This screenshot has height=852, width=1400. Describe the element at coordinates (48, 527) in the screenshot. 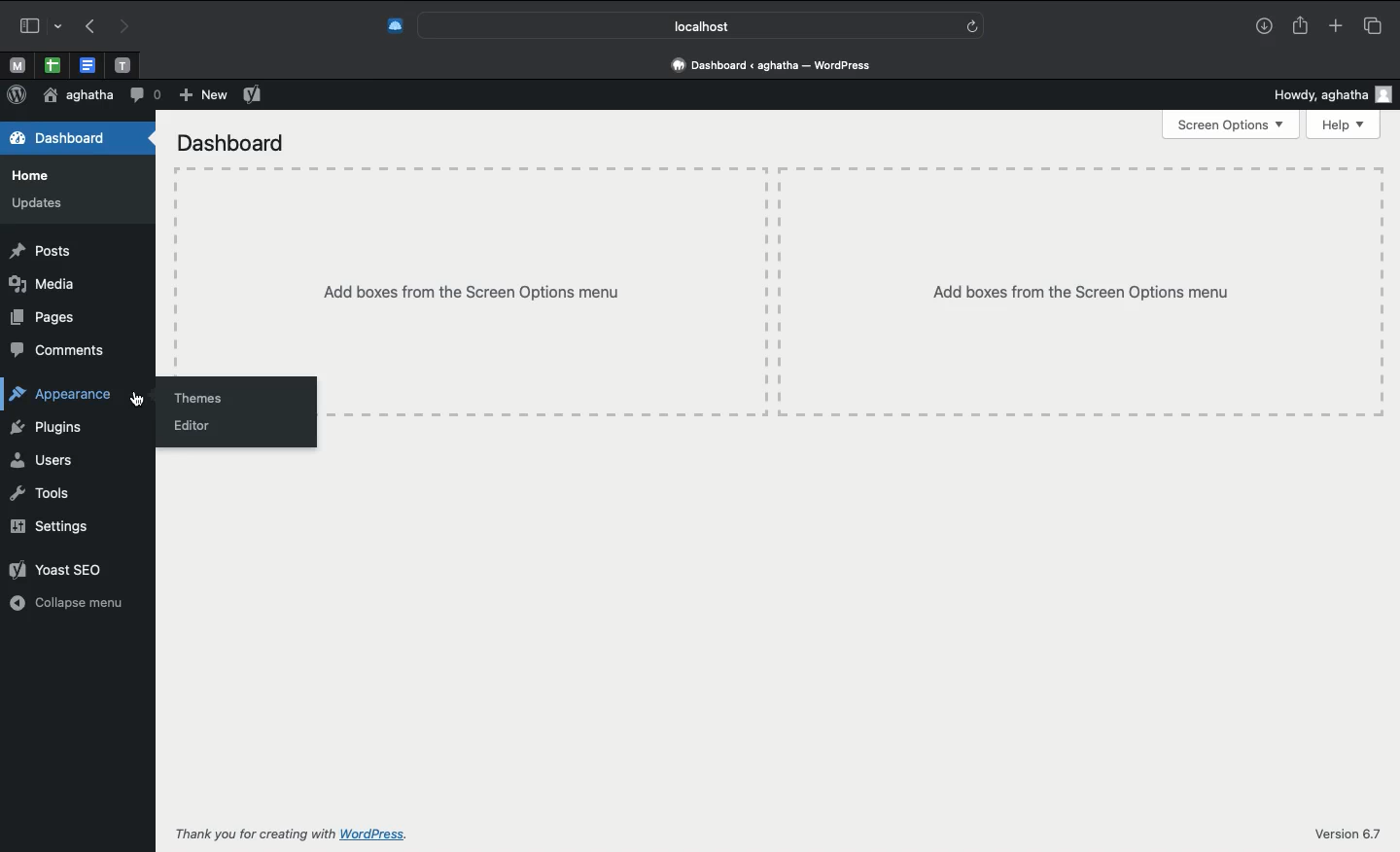

I see `Settings` at that location.